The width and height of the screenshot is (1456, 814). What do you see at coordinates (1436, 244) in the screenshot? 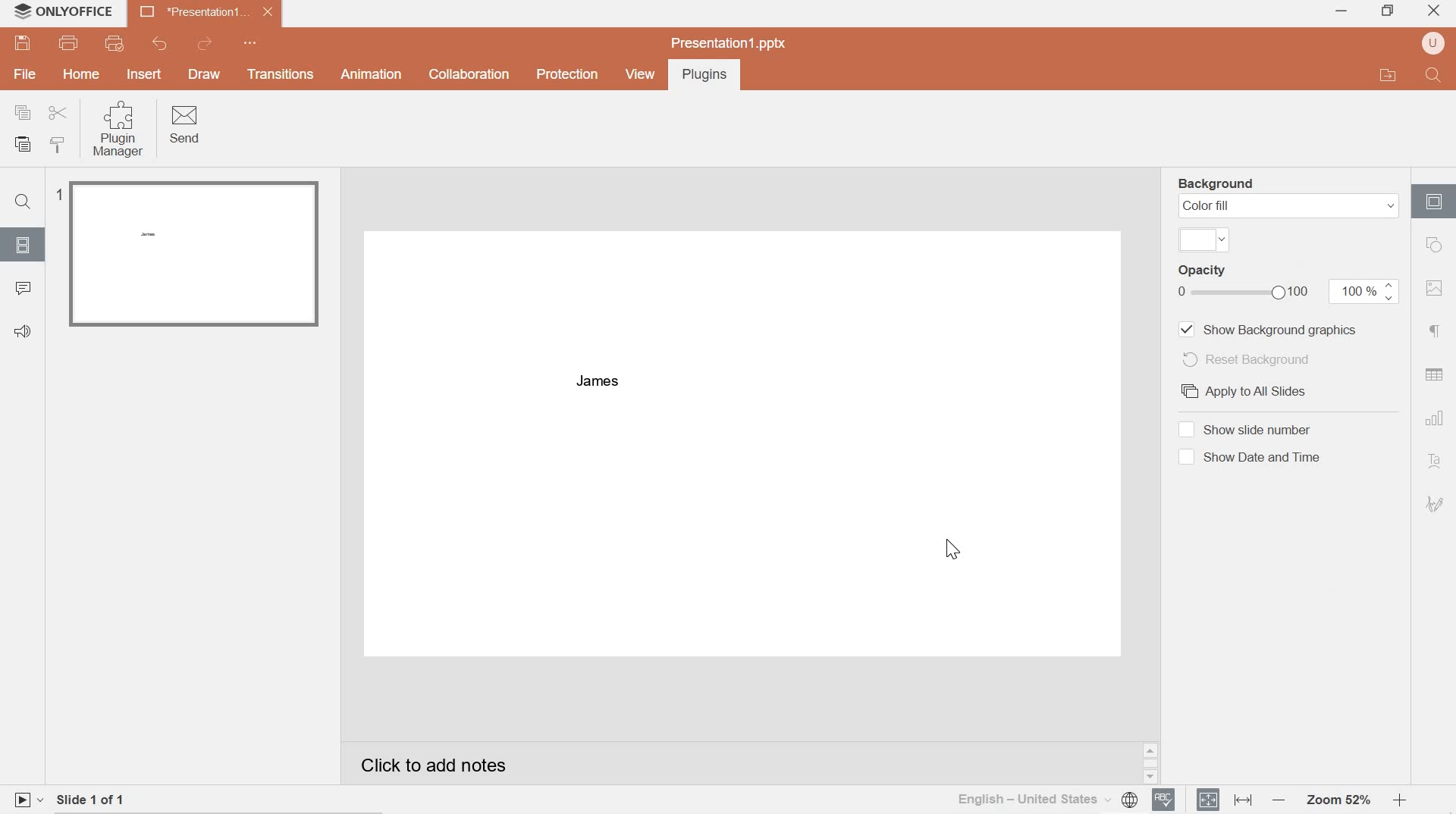
I see `shape settings` at bounding box center [1436, 244].